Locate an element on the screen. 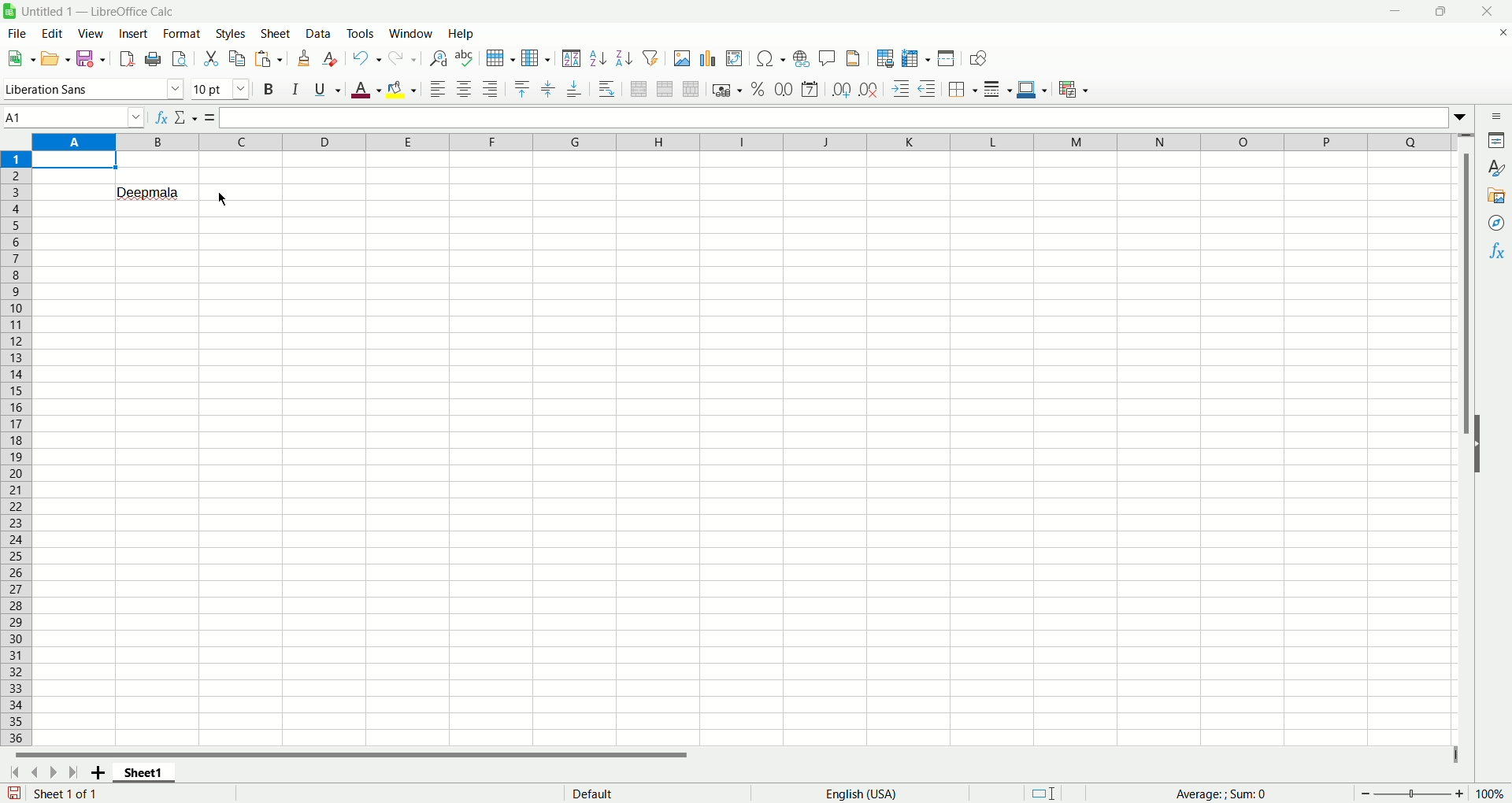 The width and height of the screenshot is (1512, 803). Print preview is located at coordinates (179, 59).